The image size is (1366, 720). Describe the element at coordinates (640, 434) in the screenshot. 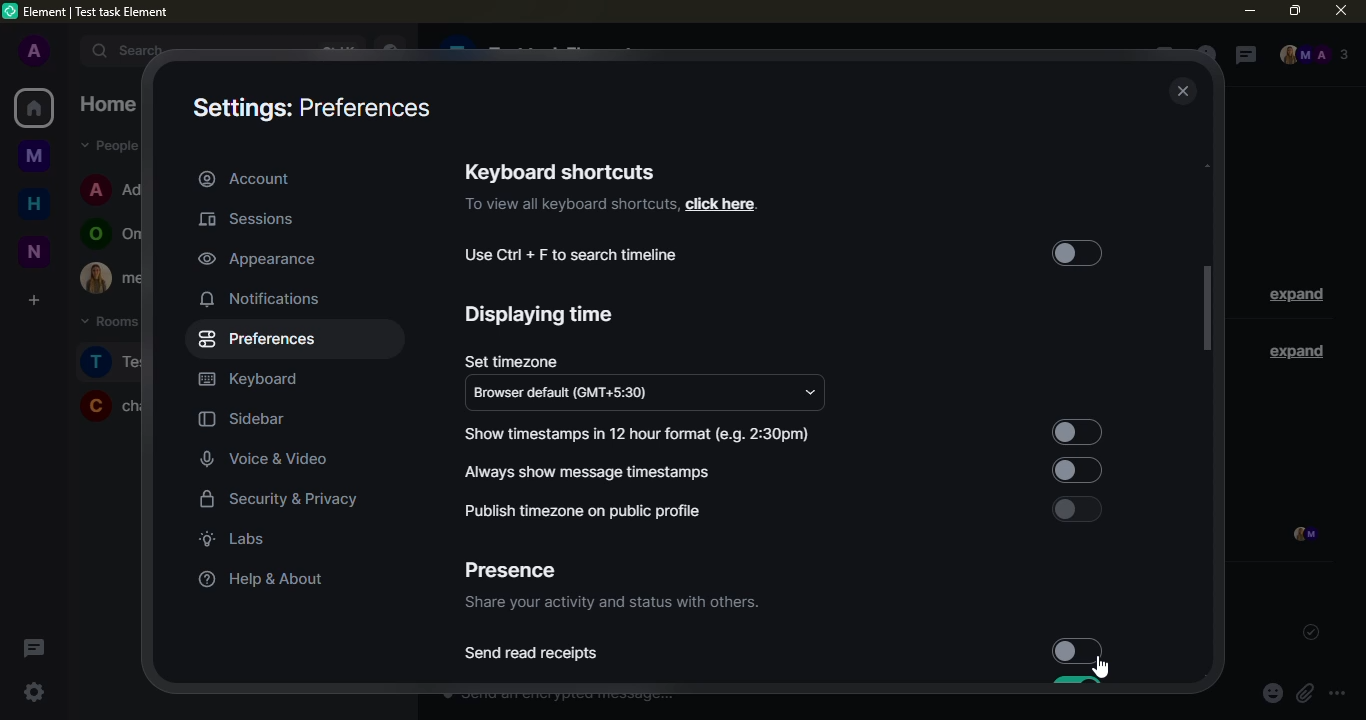

I see `show timestamp` at that location.